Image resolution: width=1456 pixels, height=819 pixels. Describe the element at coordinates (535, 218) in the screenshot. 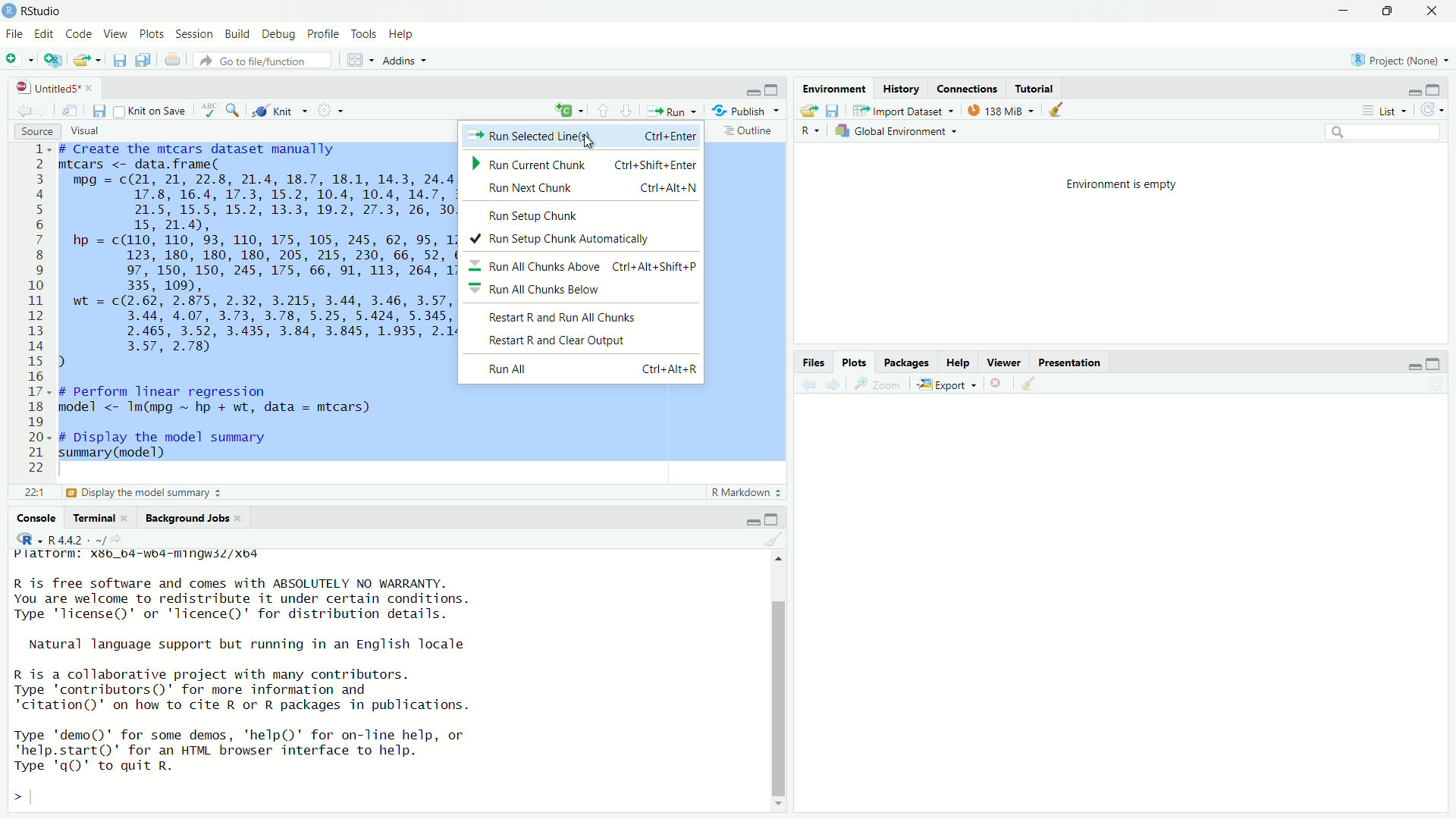

I see `Run Setup Chunk` at that location.